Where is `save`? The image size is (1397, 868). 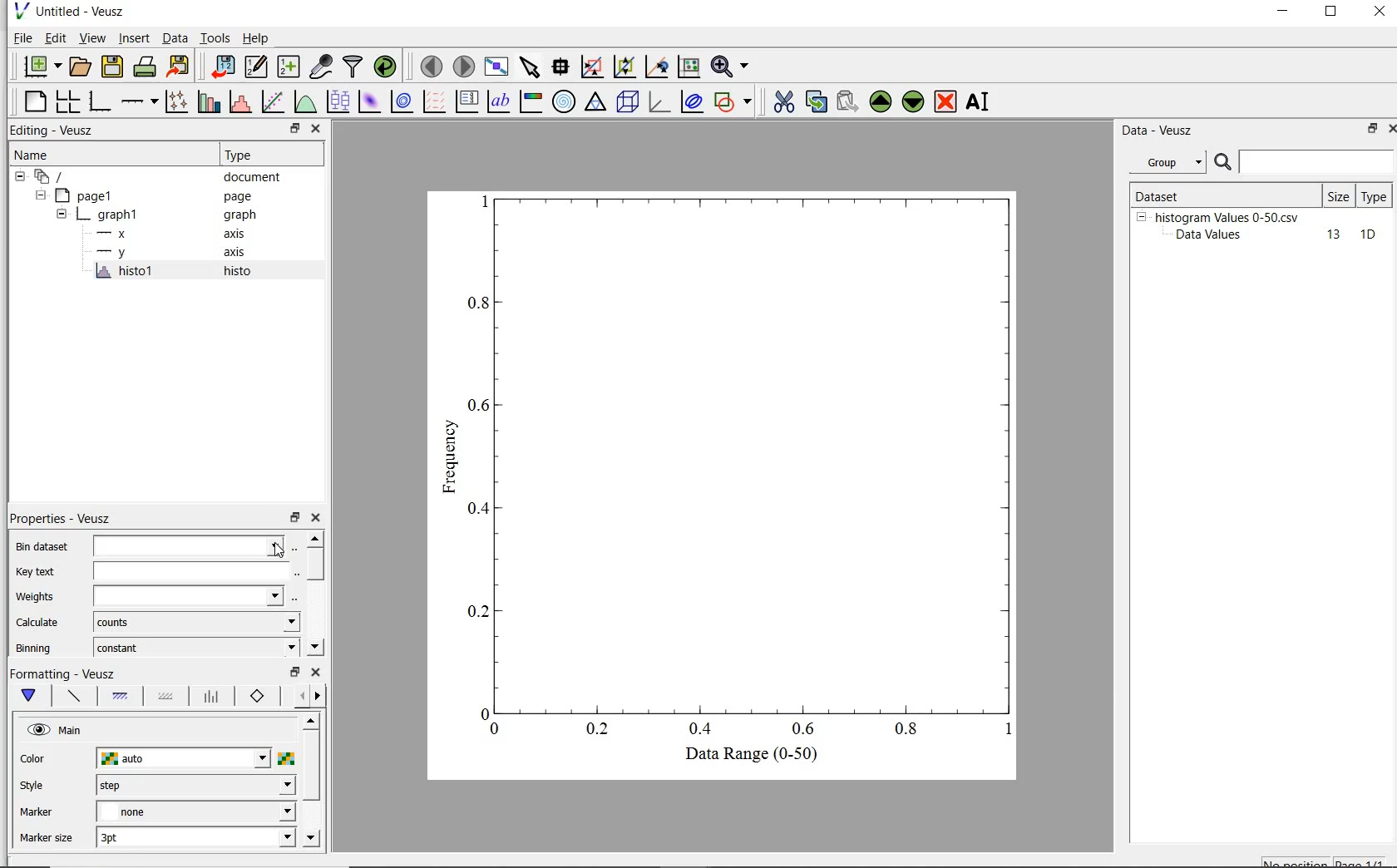
save is located at coordinates (113, 65).